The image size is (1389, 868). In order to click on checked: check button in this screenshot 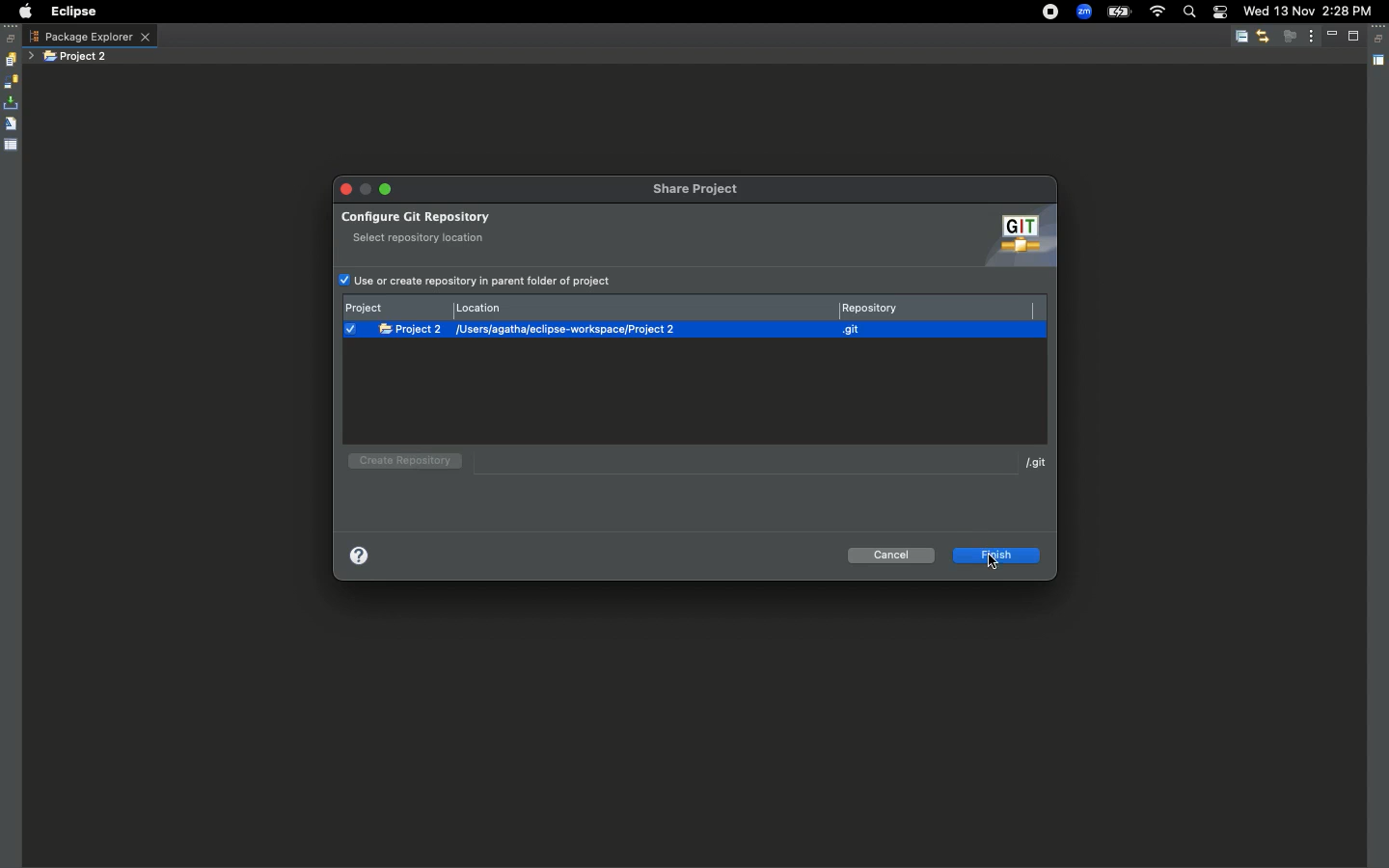, I will do `click(350, 329)`.